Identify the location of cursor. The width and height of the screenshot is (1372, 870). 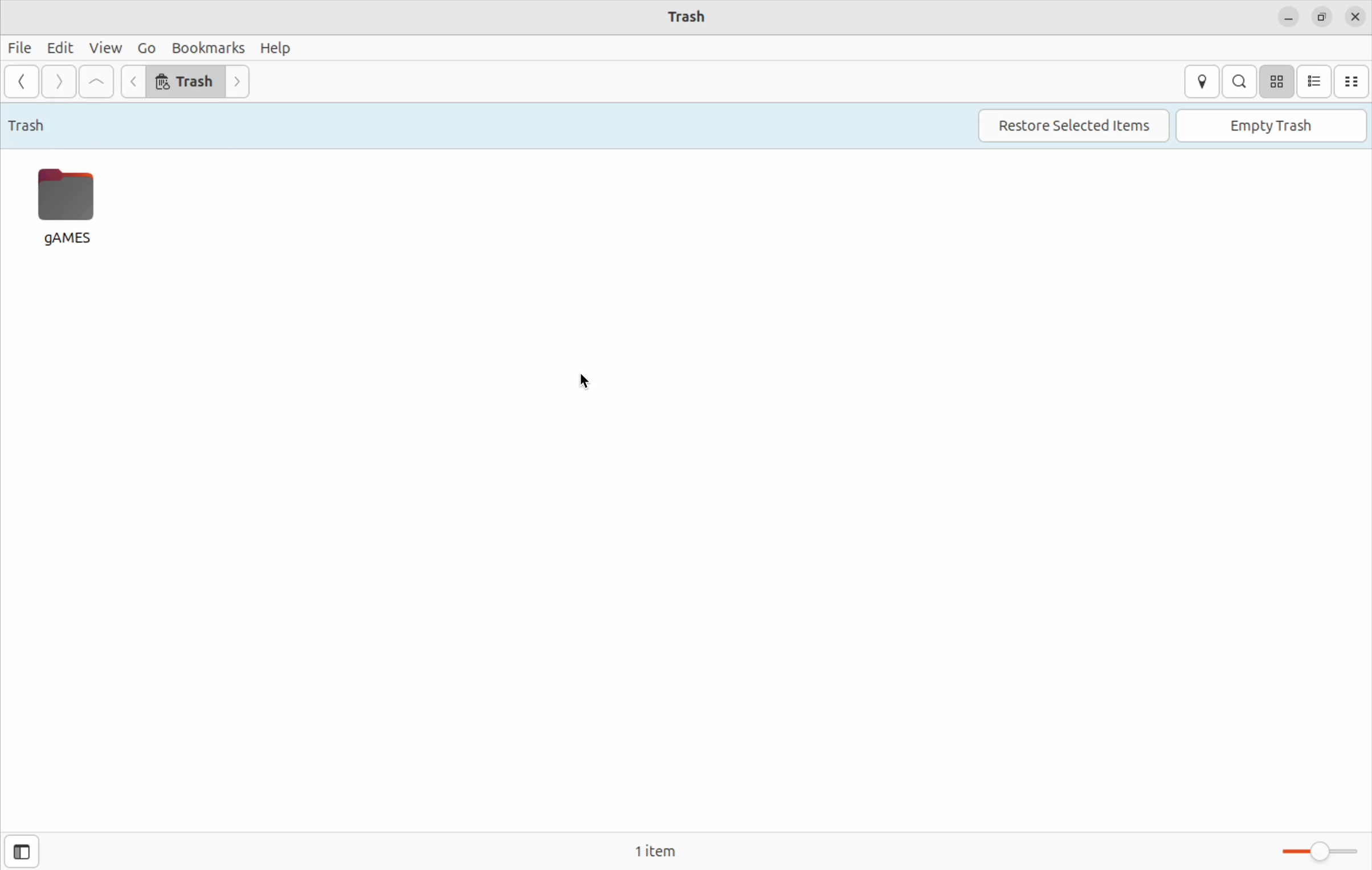
(588, 383).